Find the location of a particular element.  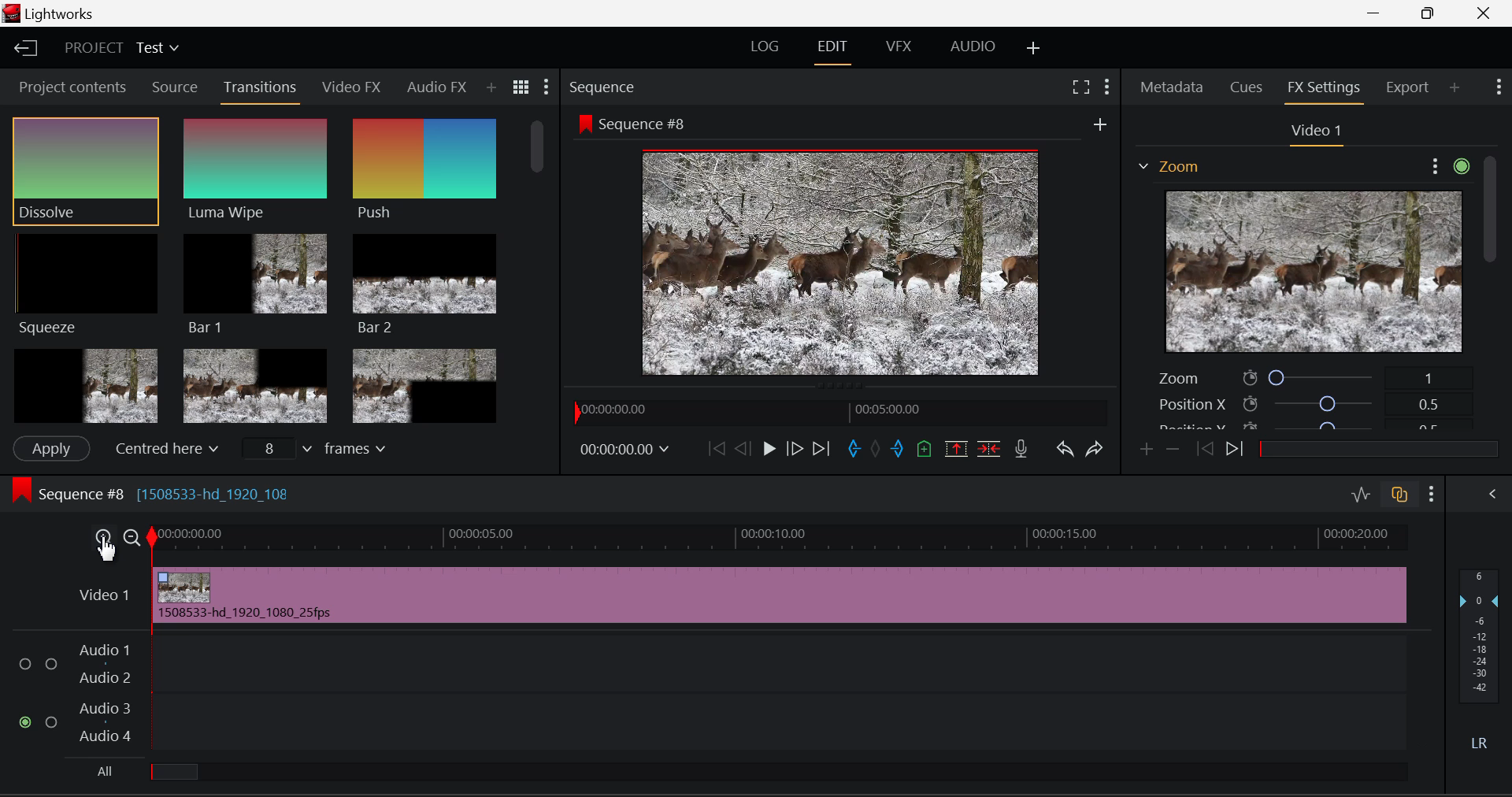

To Start is located at coordinates (715, 450).